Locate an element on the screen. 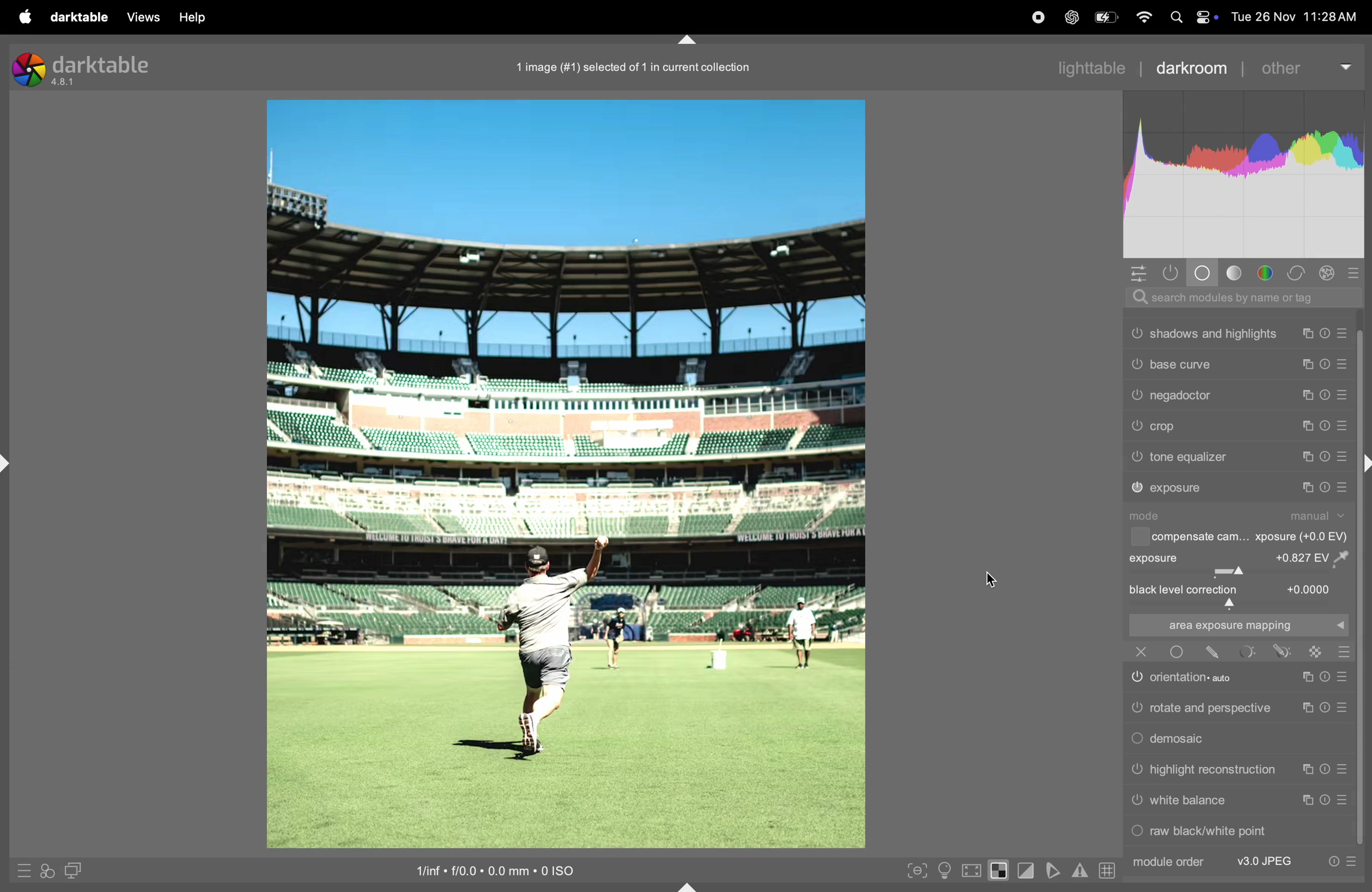  Switch on or off is located at coordinates (1136, 709).